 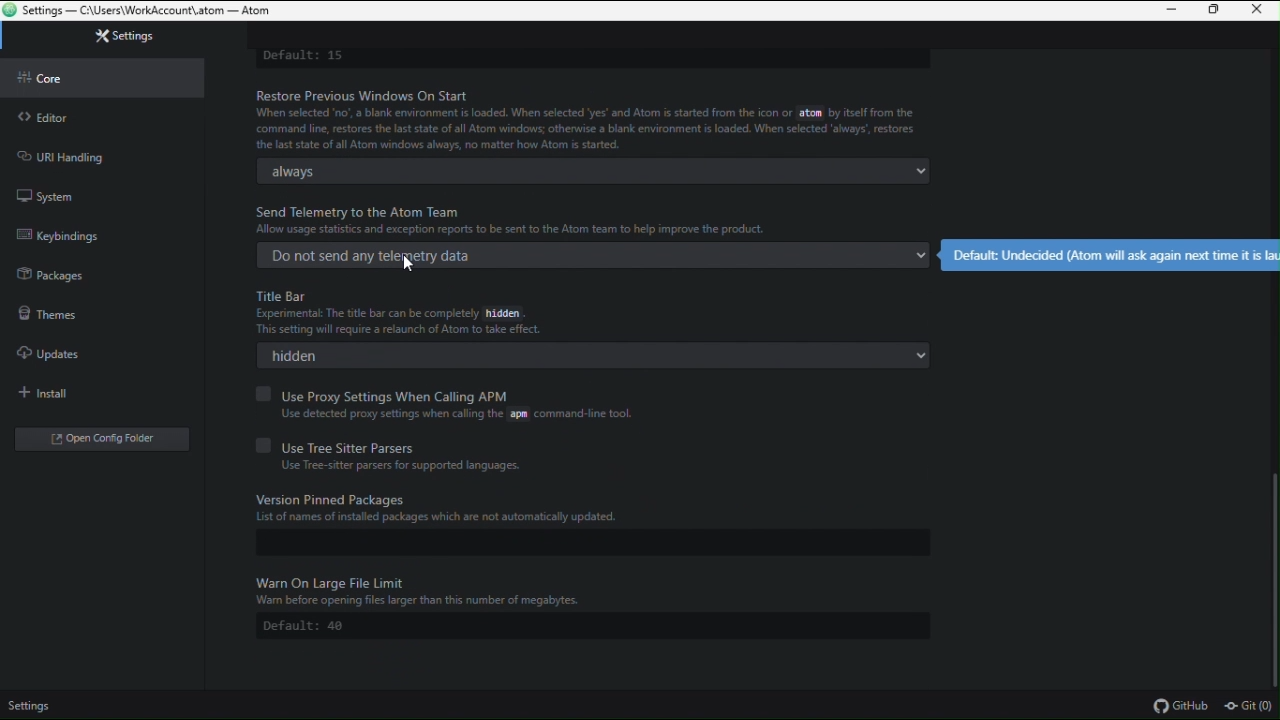 What do you see at coordinates (311, 625) in the screenshot?
I see `Default: 40` at bounding box center [311, 625].